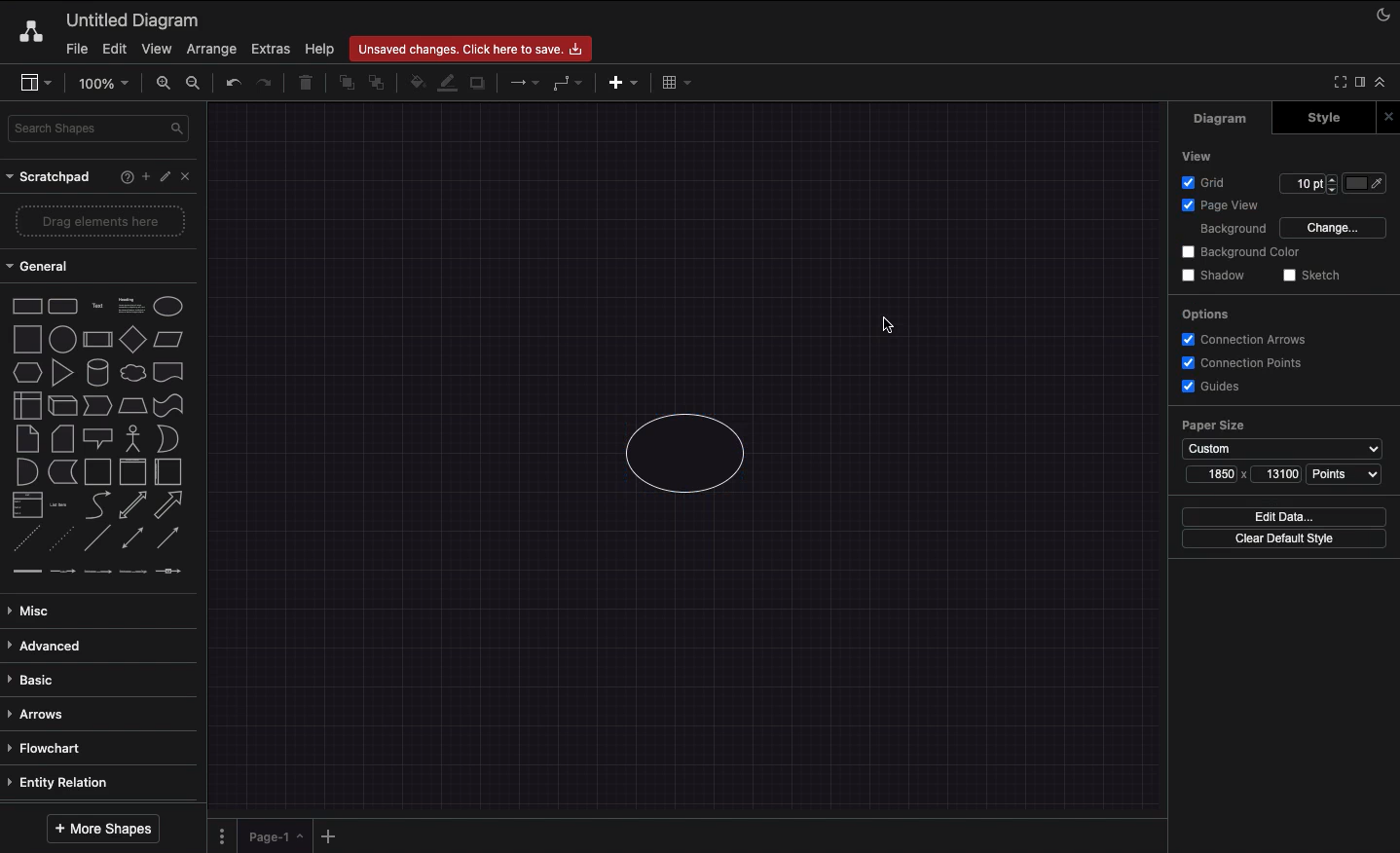  Describe the element at coordinates (131, 373) in the screenshot. I see `Cloud` at that location.